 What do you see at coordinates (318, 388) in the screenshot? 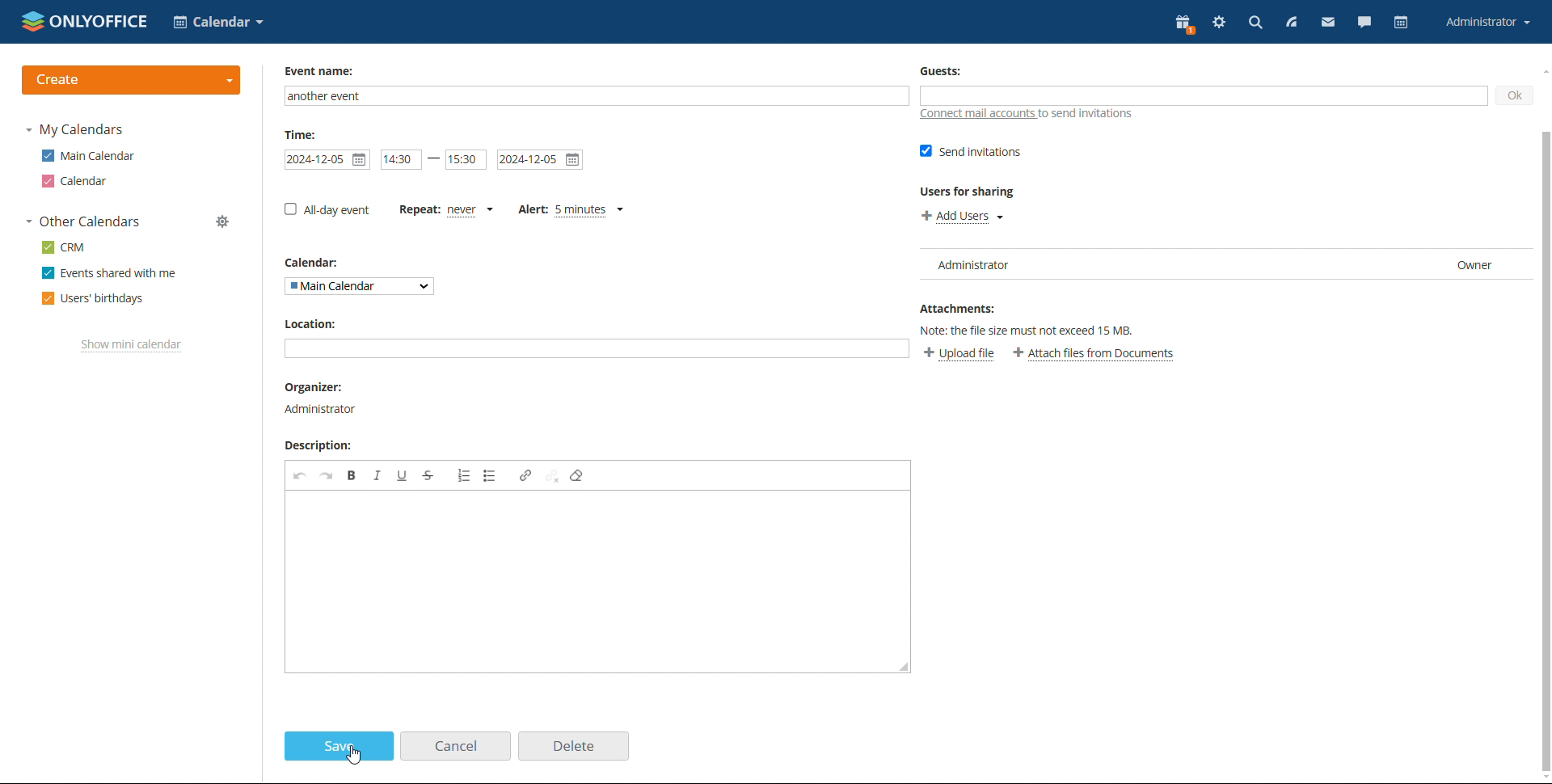
I see `organizer` at bounding box center [318, 388].